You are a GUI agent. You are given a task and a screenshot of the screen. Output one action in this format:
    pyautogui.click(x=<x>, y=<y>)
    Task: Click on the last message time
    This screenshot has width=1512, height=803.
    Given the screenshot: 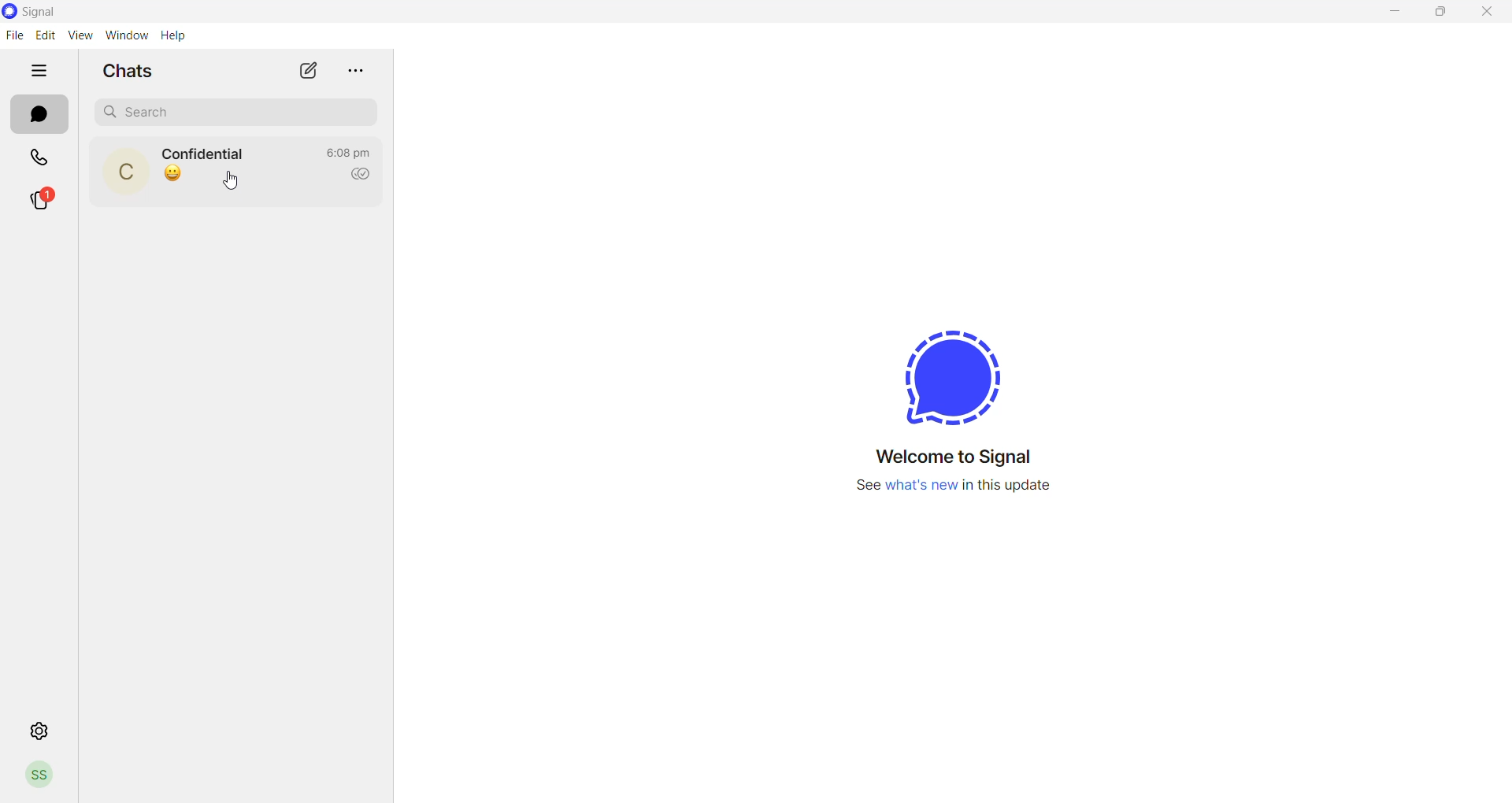 What is the action you would take?
    pyautogui.click(x=350, y=152)
    